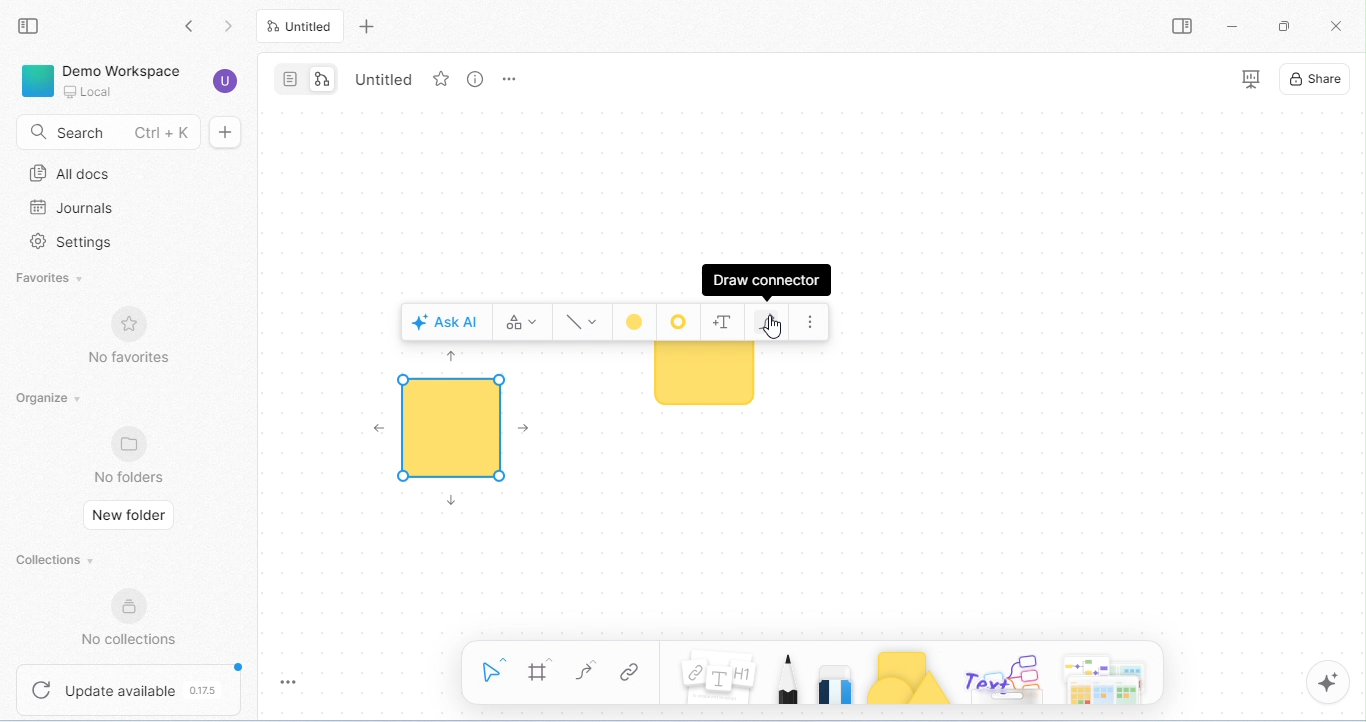 The width and height of the screenshot is (1366, 722). What do you see at coordinates (703, 380) in the screenshot?
I see `shape` at bounding box center [703, 380].